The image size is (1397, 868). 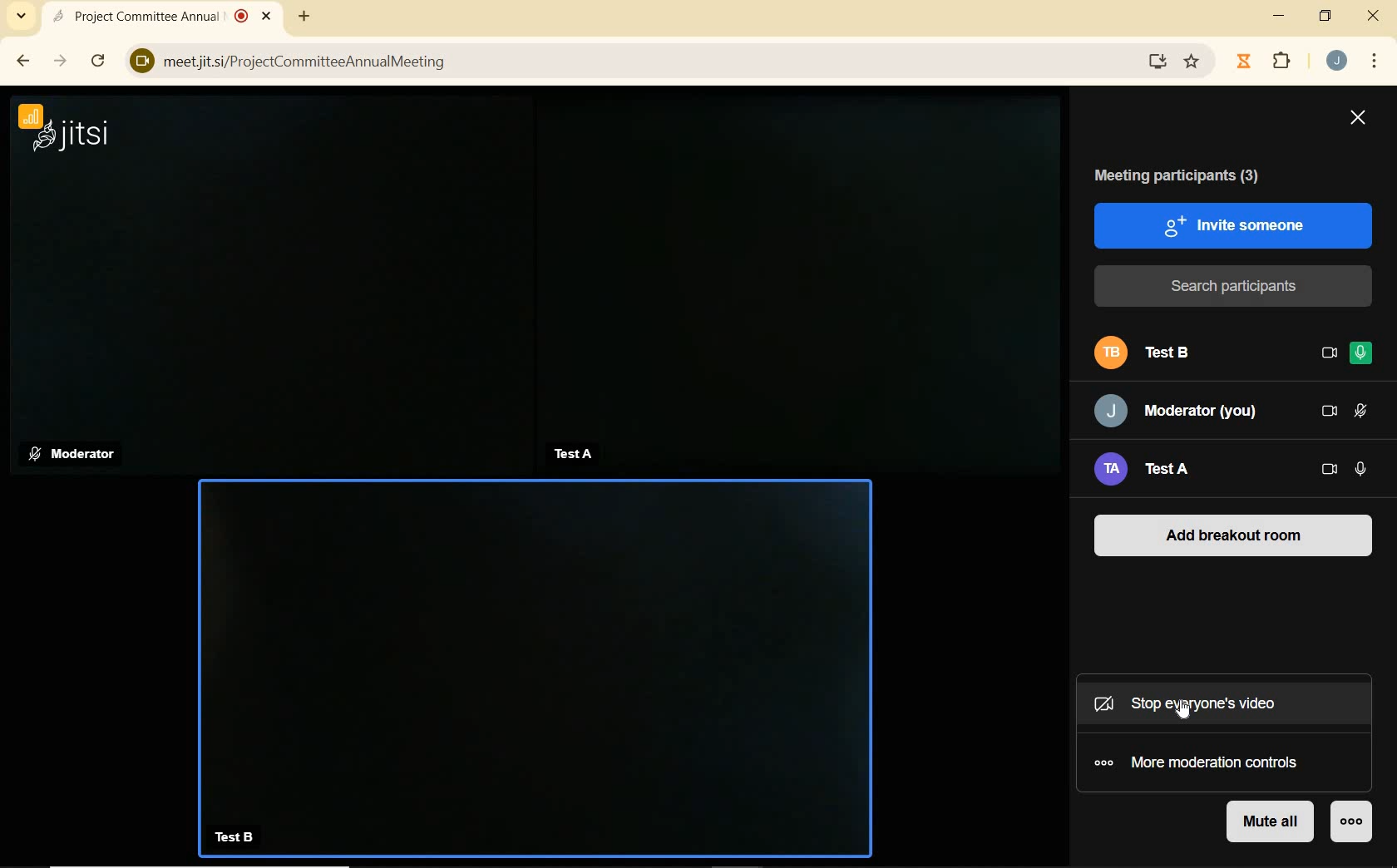 I want to click on ADD BREAKOUT ROOM, so click(x=1235, y=534).